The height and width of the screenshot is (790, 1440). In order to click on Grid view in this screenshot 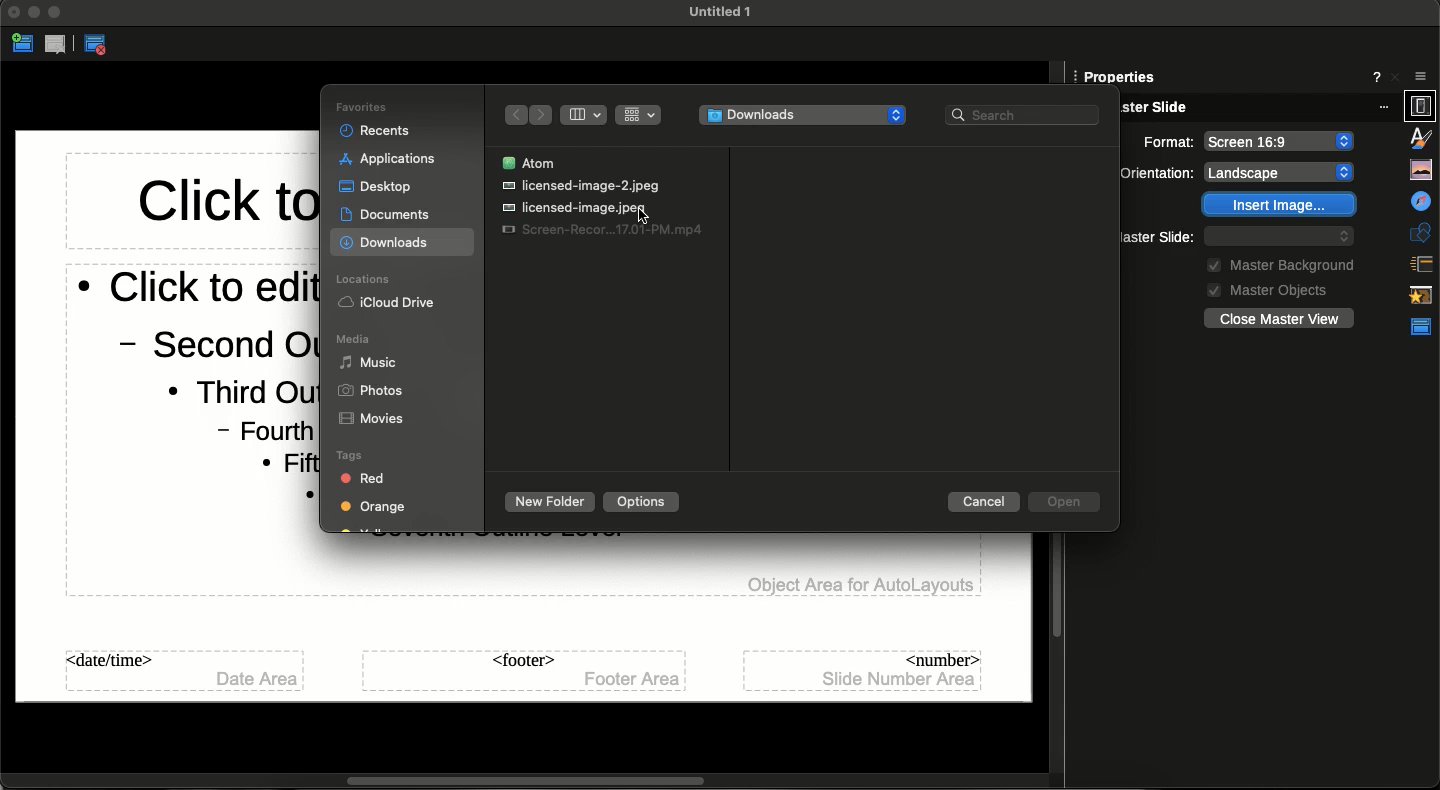, I will do `click(637, 115)`.